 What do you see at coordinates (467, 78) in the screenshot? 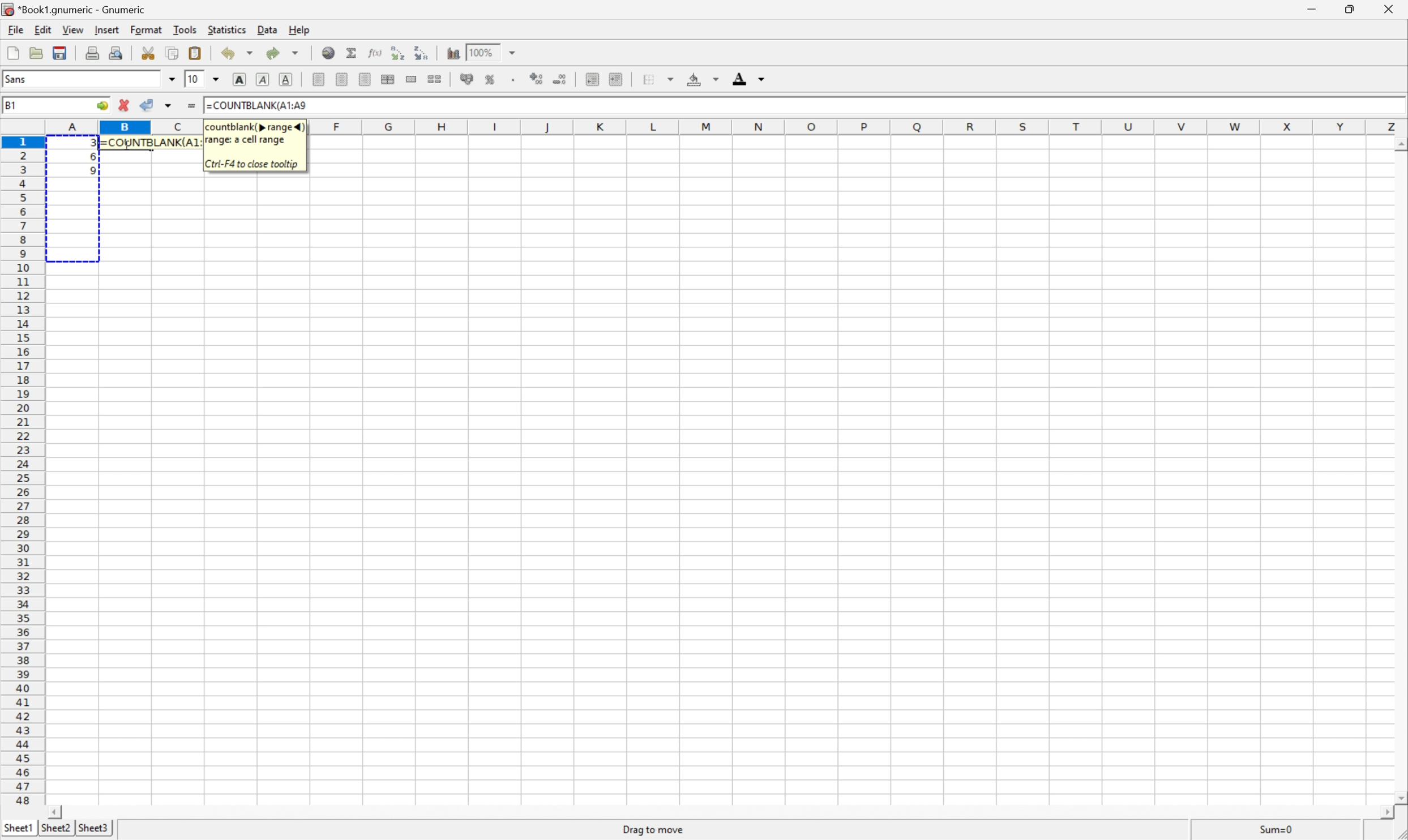
I see `Format the selection as accounting` at bounding box center [467, 78].